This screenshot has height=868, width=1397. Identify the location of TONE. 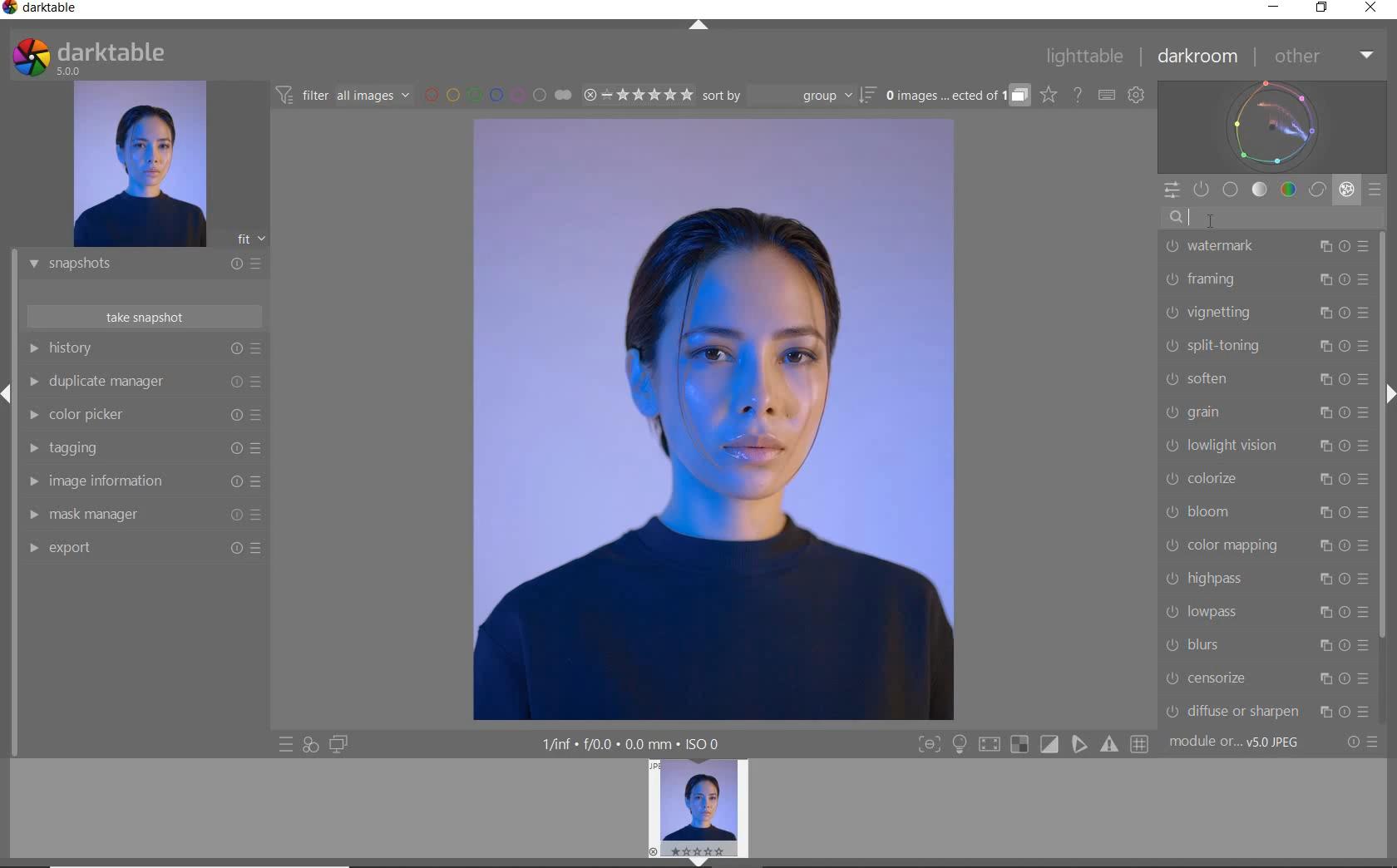
(1261, 190).